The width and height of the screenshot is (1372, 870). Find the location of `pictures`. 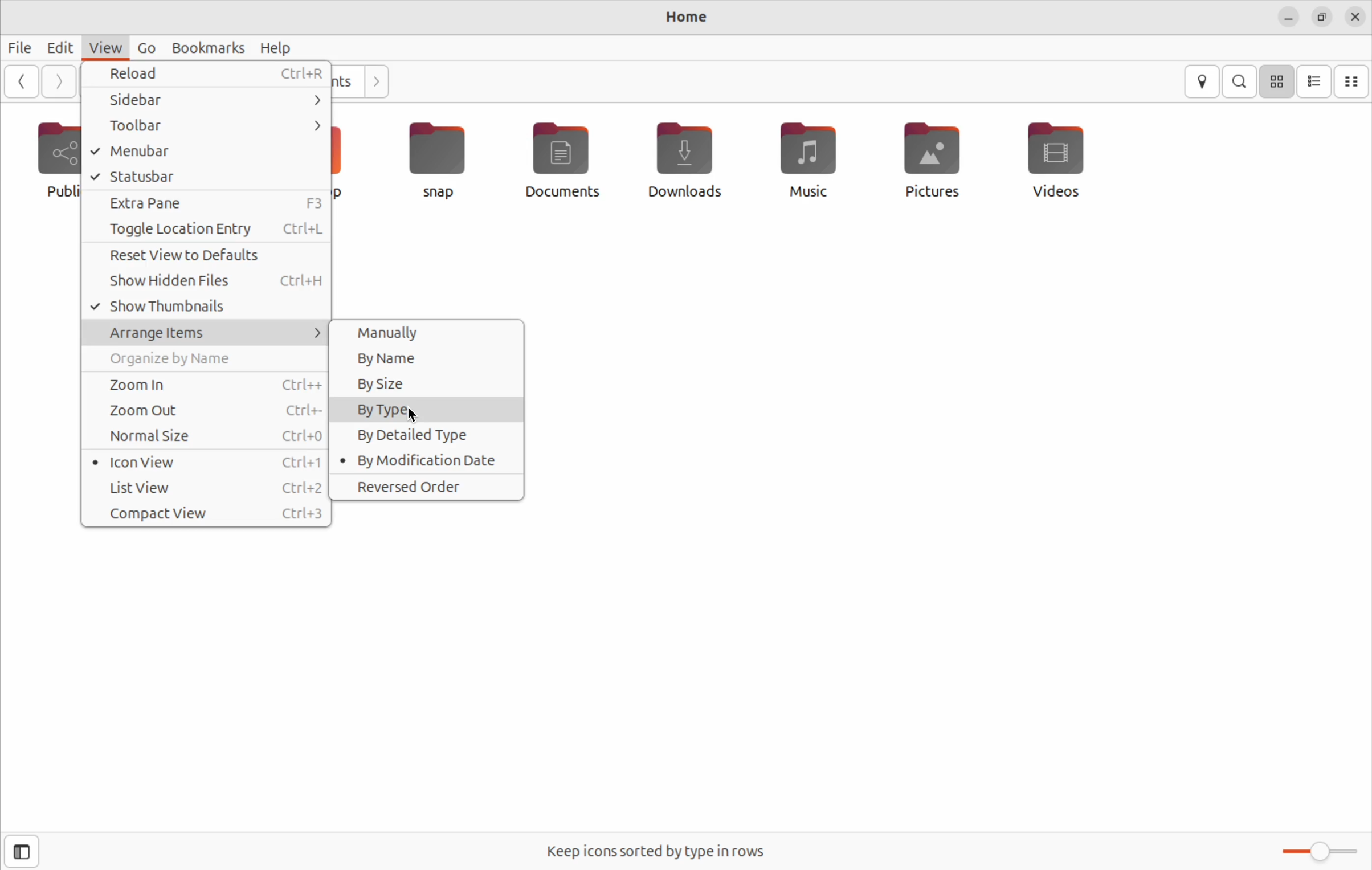

pictures is located at coordinates (930, 162).